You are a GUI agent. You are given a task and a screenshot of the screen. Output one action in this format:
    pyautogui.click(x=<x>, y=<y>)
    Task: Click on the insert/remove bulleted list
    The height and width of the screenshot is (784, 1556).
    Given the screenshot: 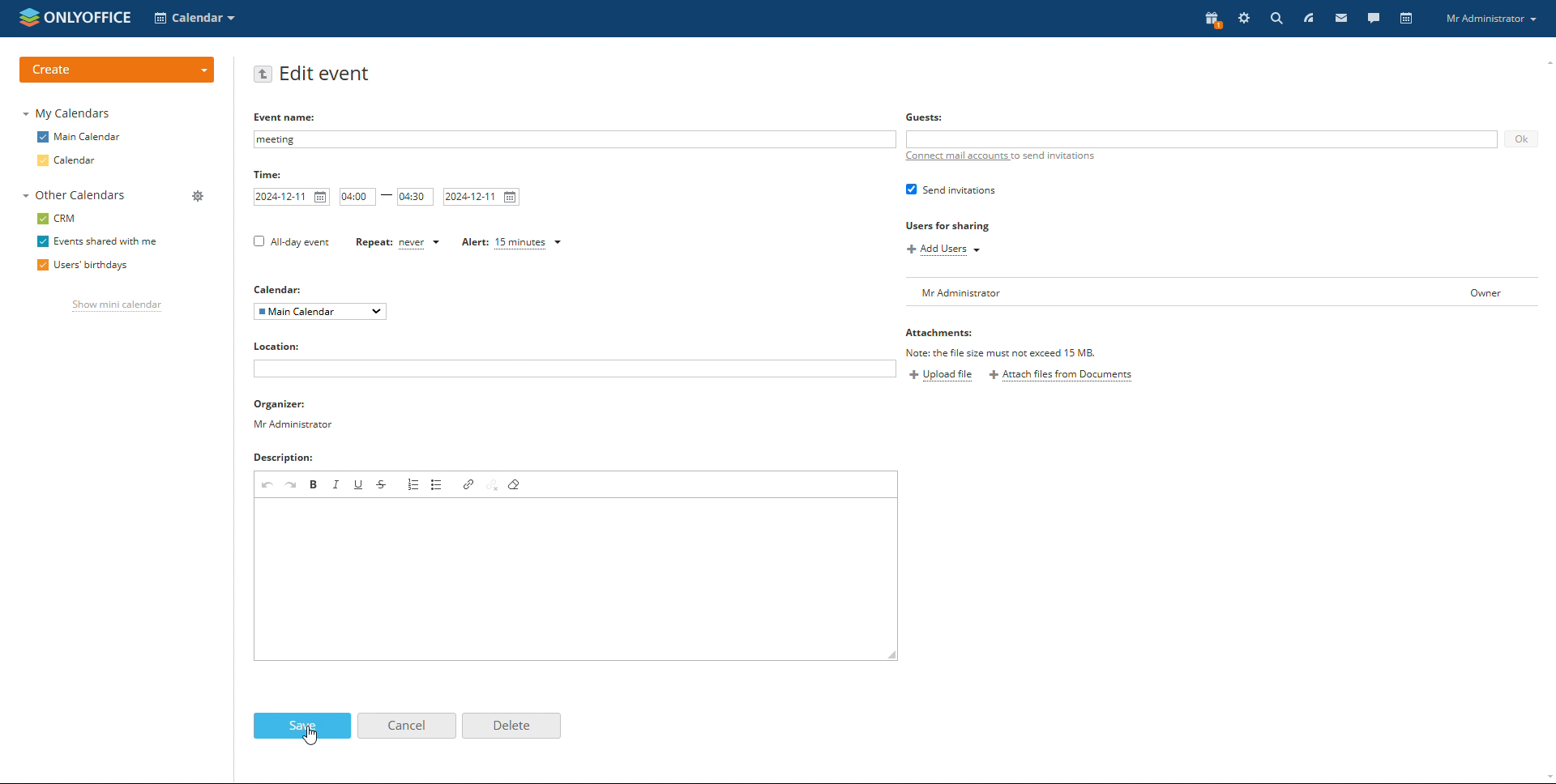 What is the action you would take?
    pyautogui.click(x=438, y=484)
    